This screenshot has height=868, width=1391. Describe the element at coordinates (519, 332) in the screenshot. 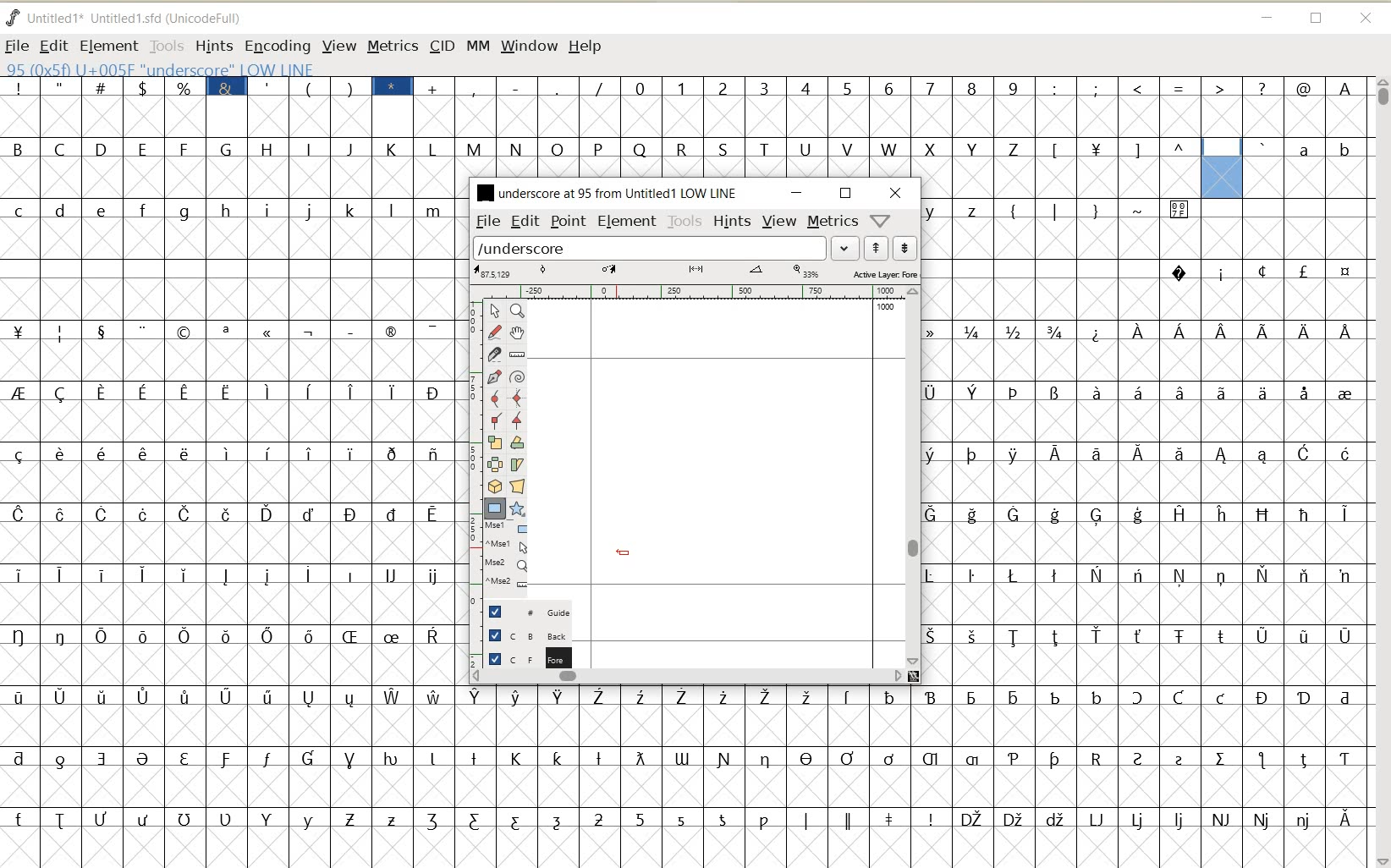

I see `scroll by hand` at that location.